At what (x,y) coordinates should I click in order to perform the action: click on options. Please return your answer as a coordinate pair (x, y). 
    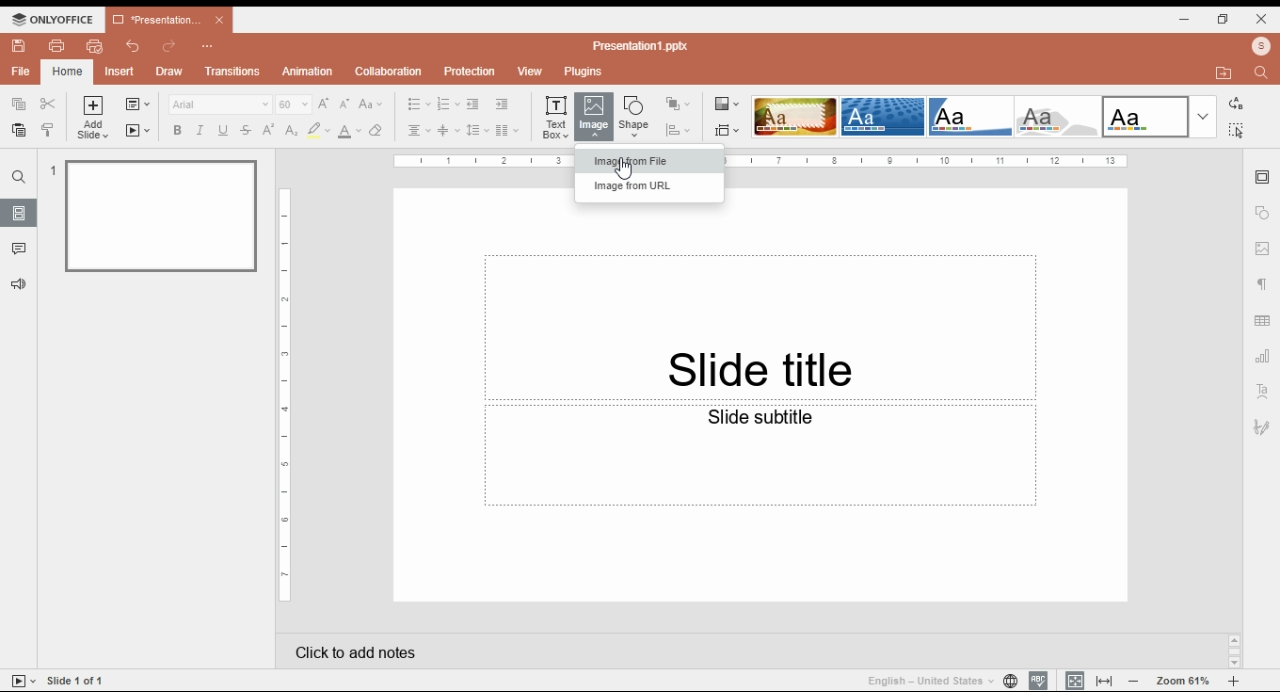
    Looking at the image, I should click on (208, 47).